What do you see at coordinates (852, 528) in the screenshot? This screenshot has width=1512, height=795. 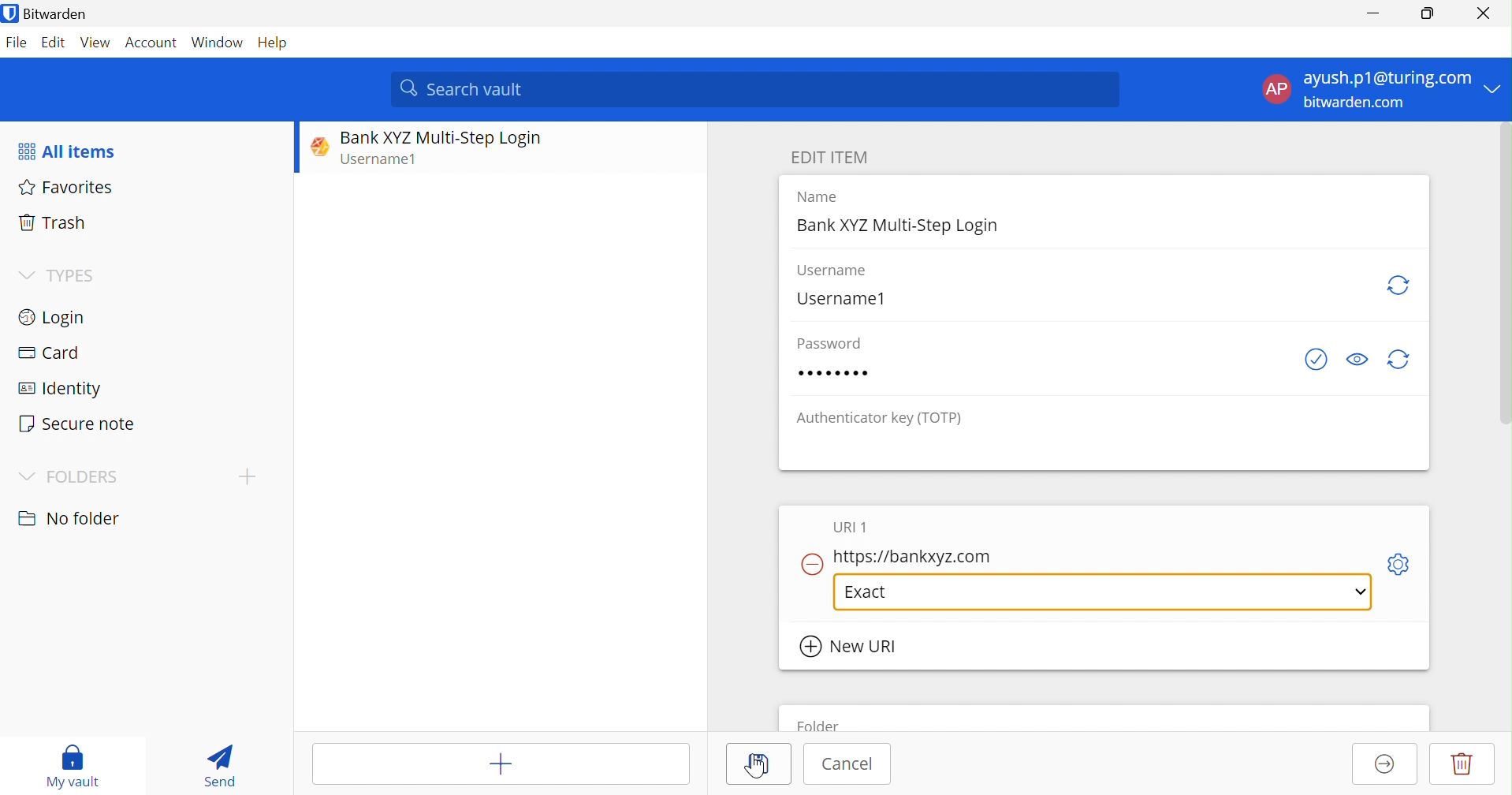 I see `URI 1` at bounding box center [852, 528].